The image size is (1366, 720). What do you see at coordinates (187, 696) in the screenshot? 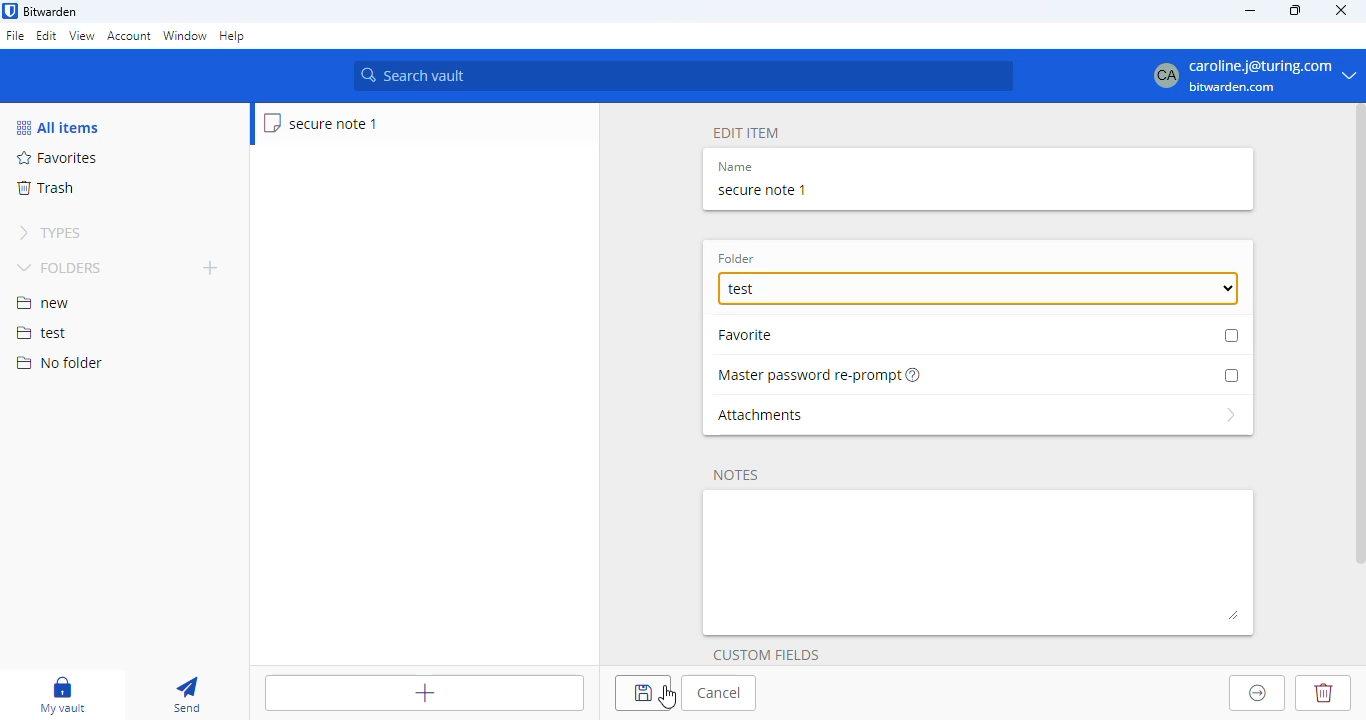
I see `send` at bounding box center [187, 696].